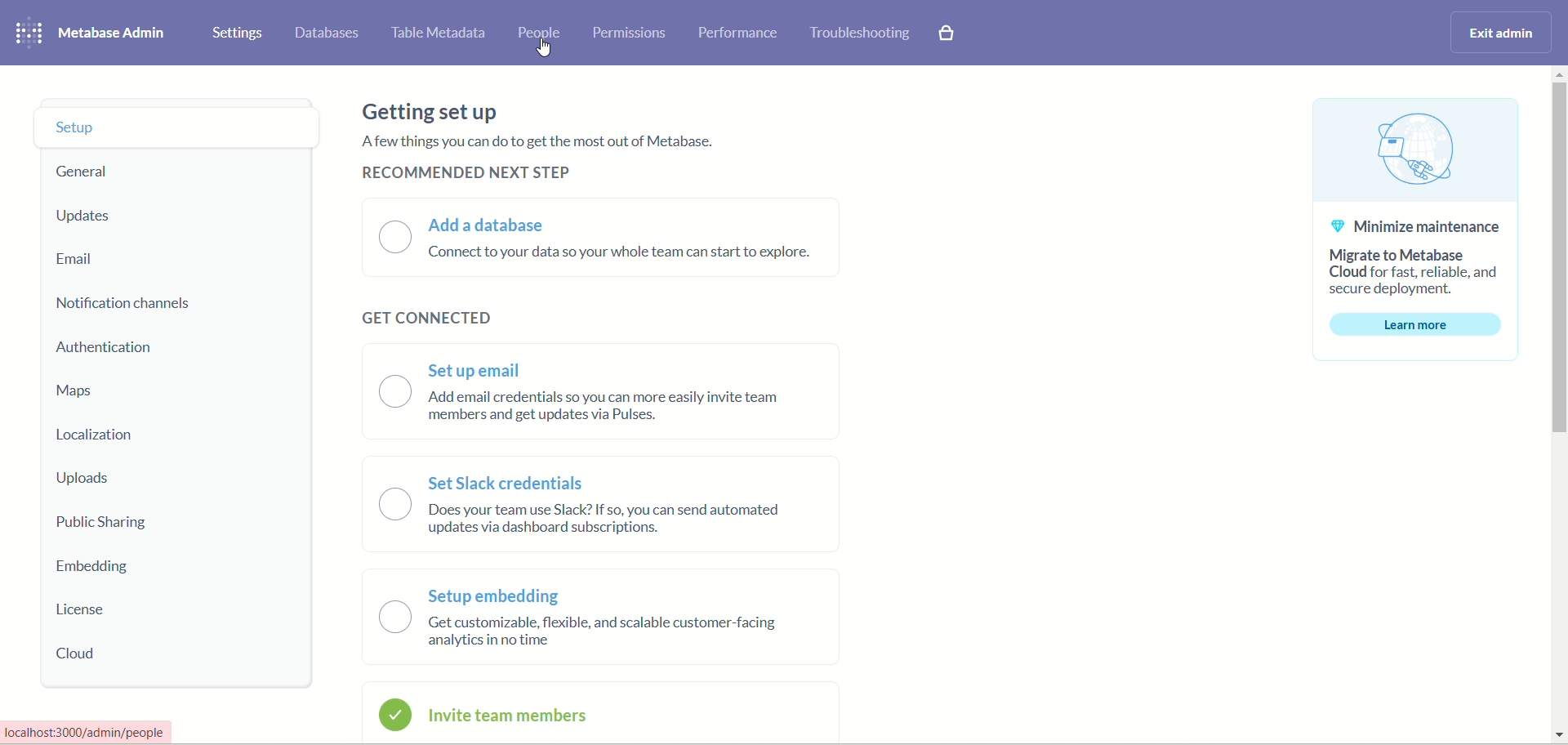 The height and width of the screenshot is (745, 1568). I want to click on text, so click(608, 633).